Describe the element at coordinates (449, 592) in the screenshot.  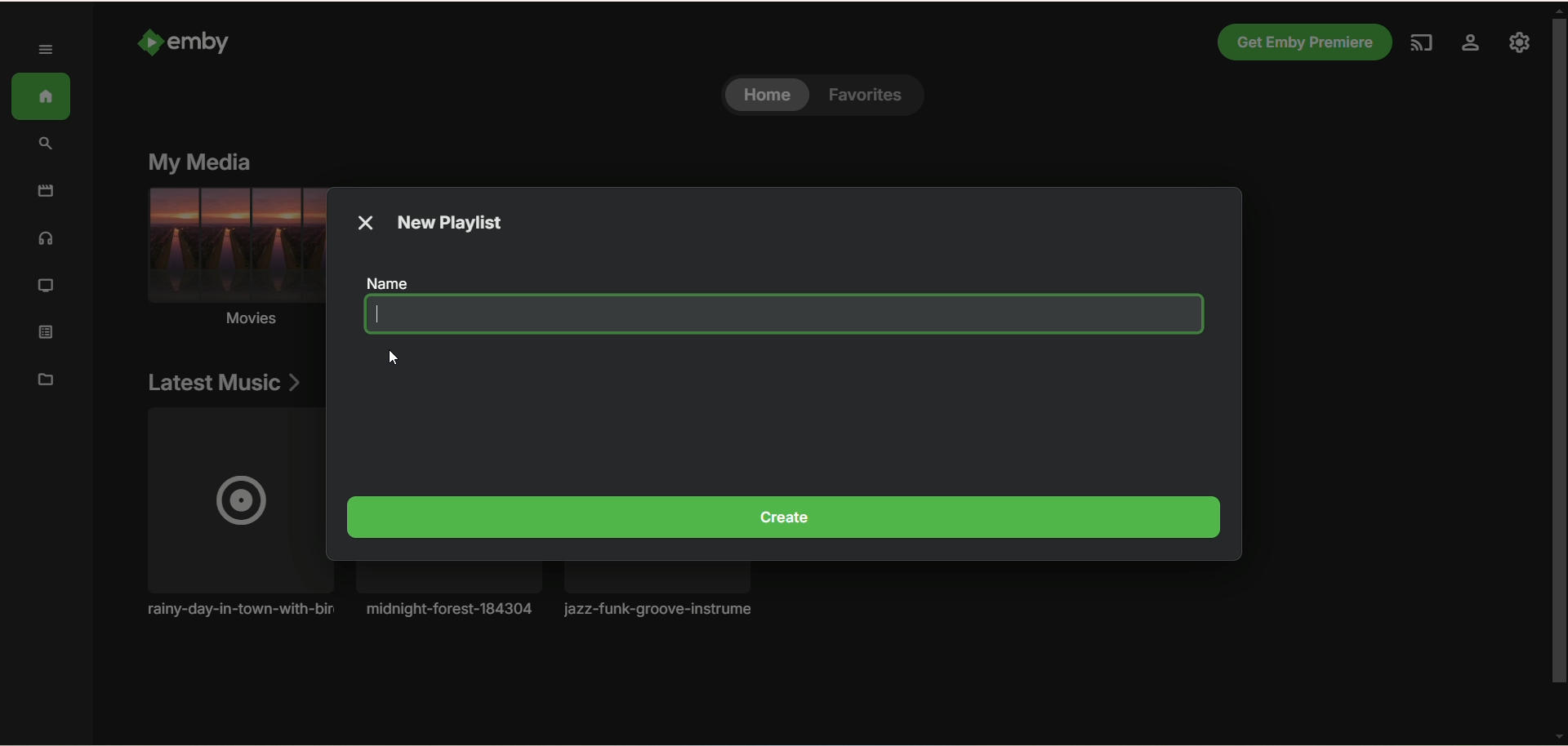
I see `Music album` at that location.